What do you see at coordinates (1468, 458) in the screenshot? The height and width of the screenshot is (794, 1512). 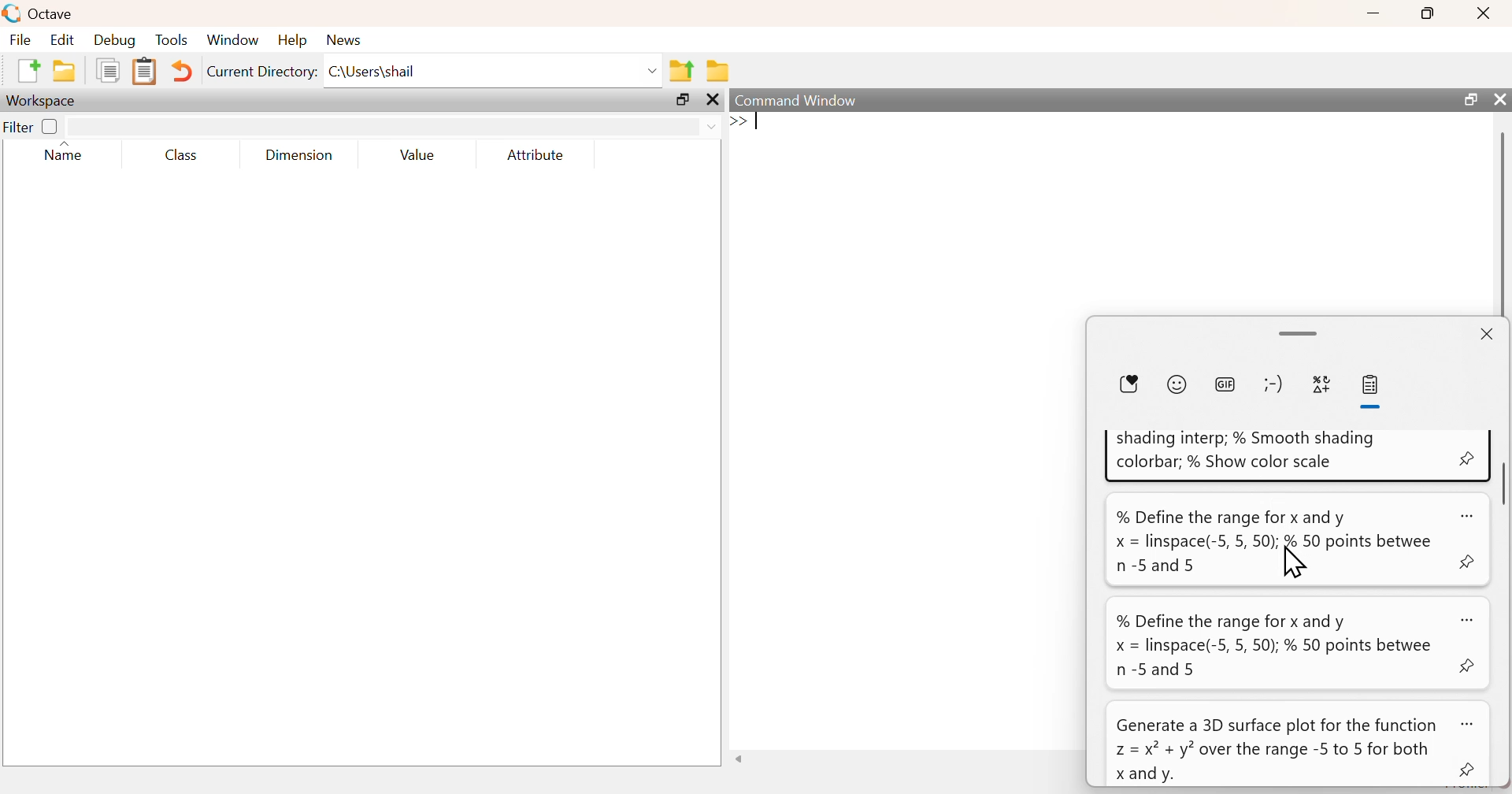 I see `Pin` at bounding box center [1468, 458].